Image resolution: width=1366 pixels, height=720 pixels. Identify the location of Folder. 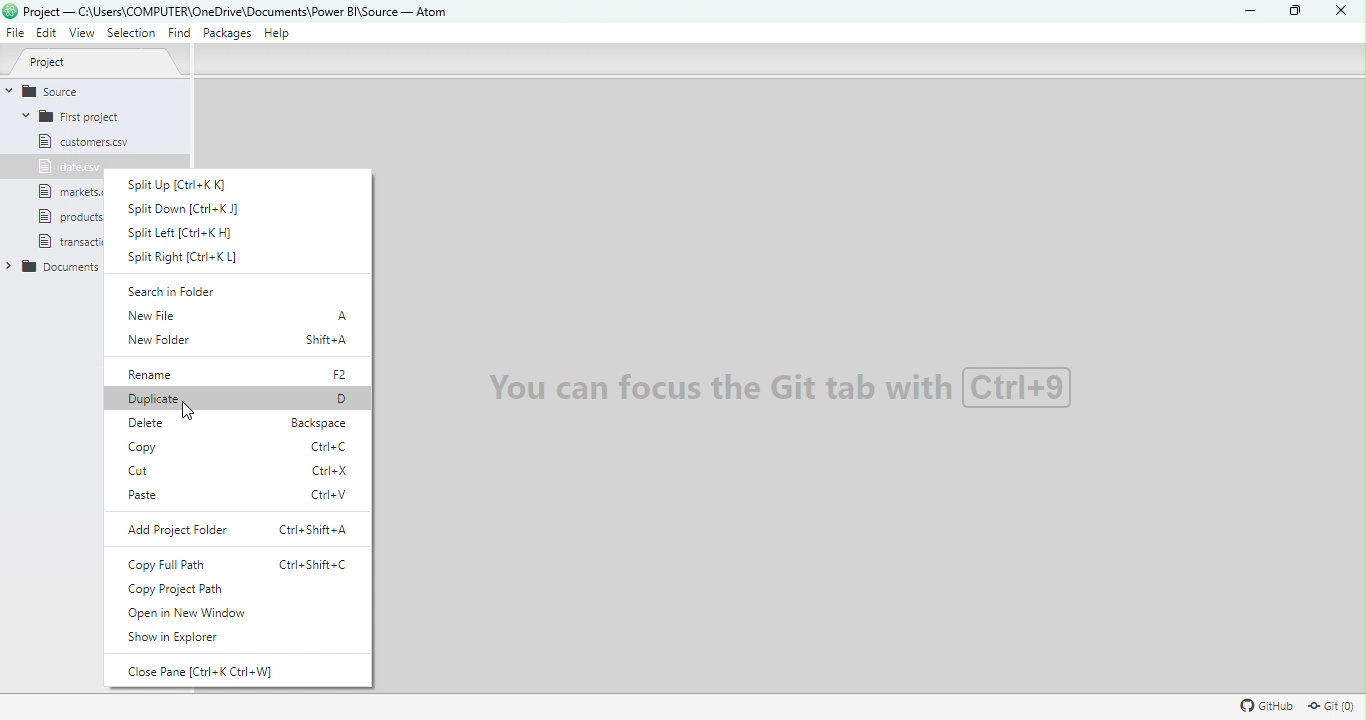
(56, 266).